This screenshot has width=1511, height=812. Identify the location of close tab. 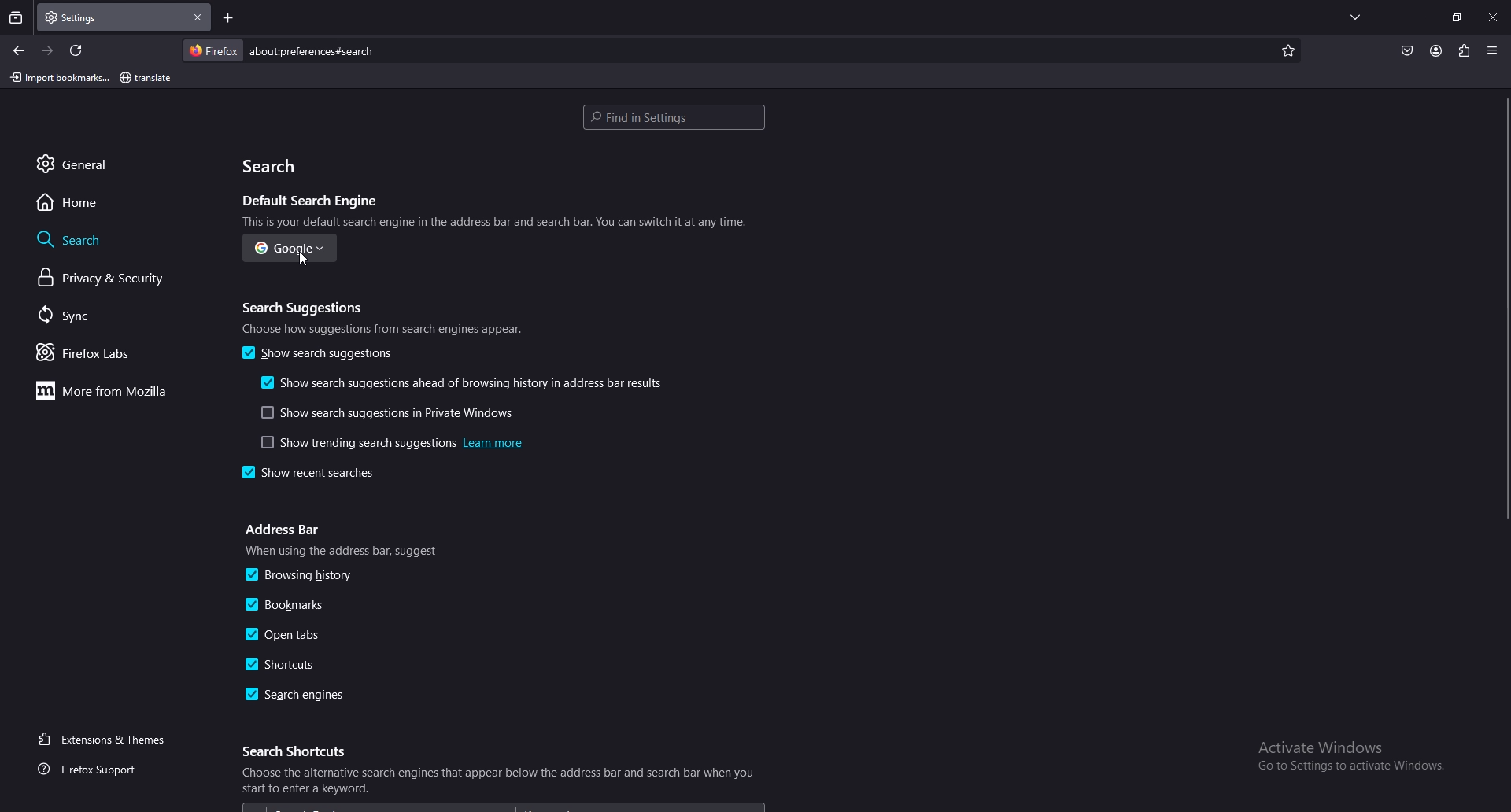
(200, 17).